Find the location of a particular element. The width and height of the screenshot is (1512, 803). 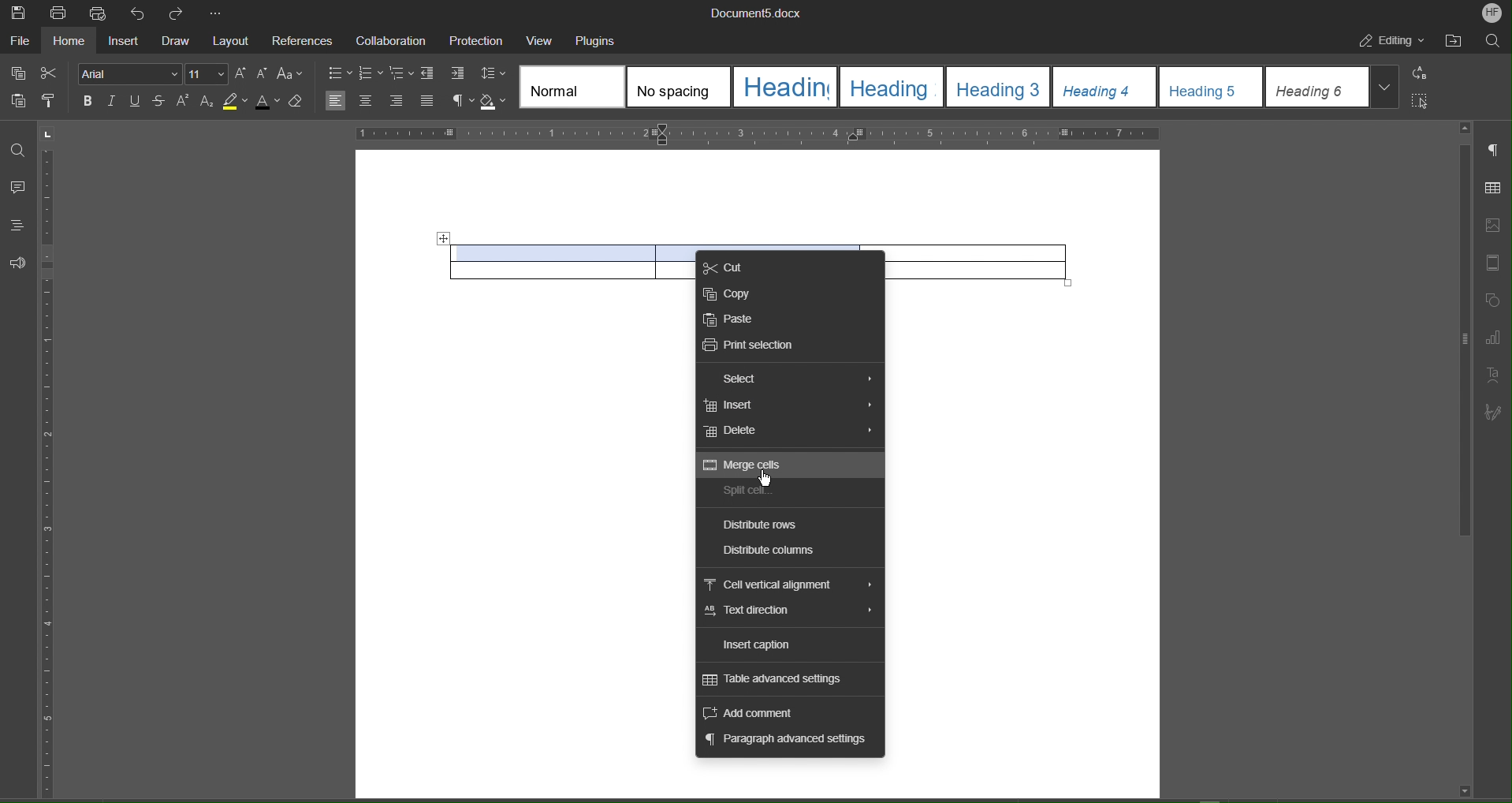

bullets is located at coordinates (339, 75).